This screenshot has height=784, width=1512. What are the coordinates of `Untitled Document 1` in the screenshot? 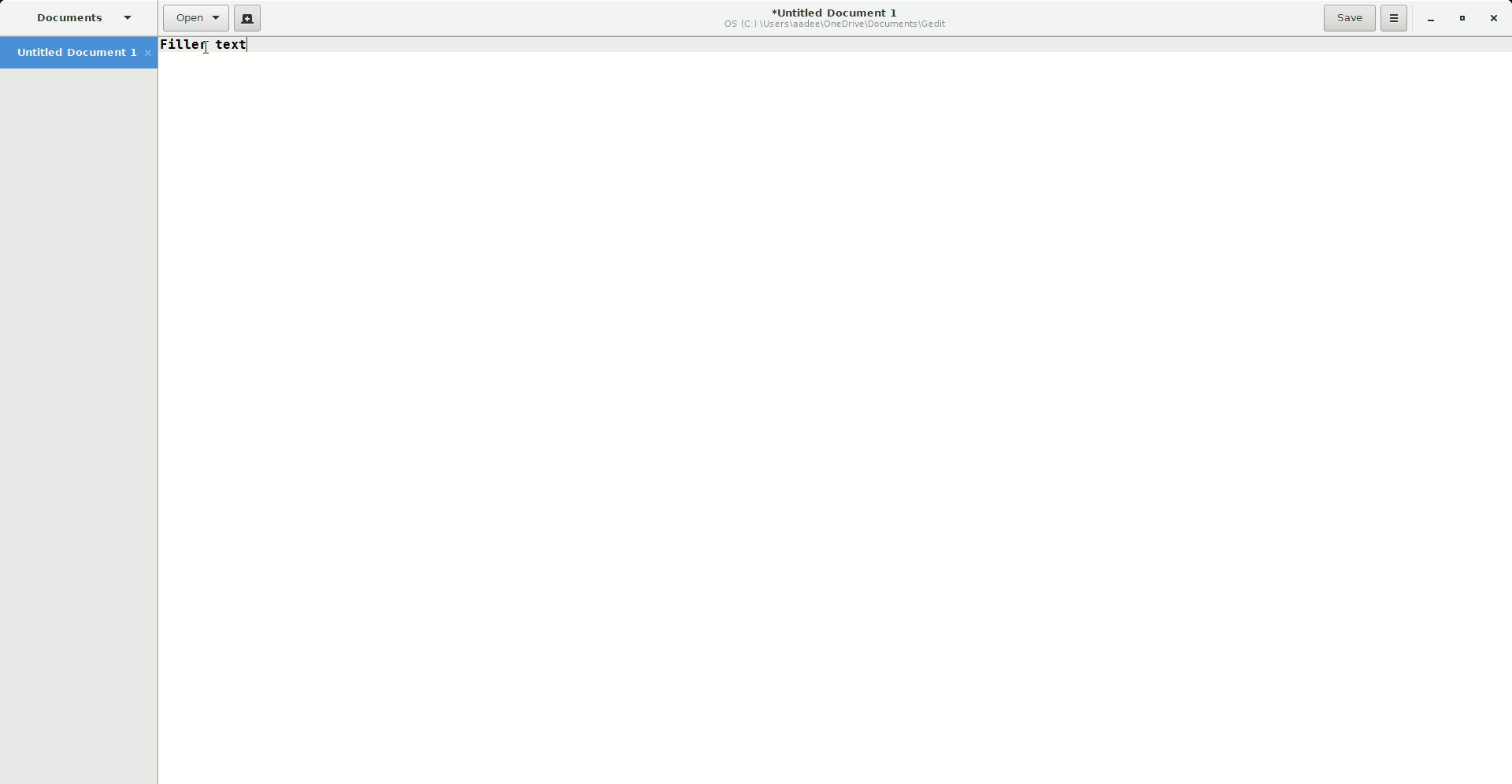 It's located at (832, 19).